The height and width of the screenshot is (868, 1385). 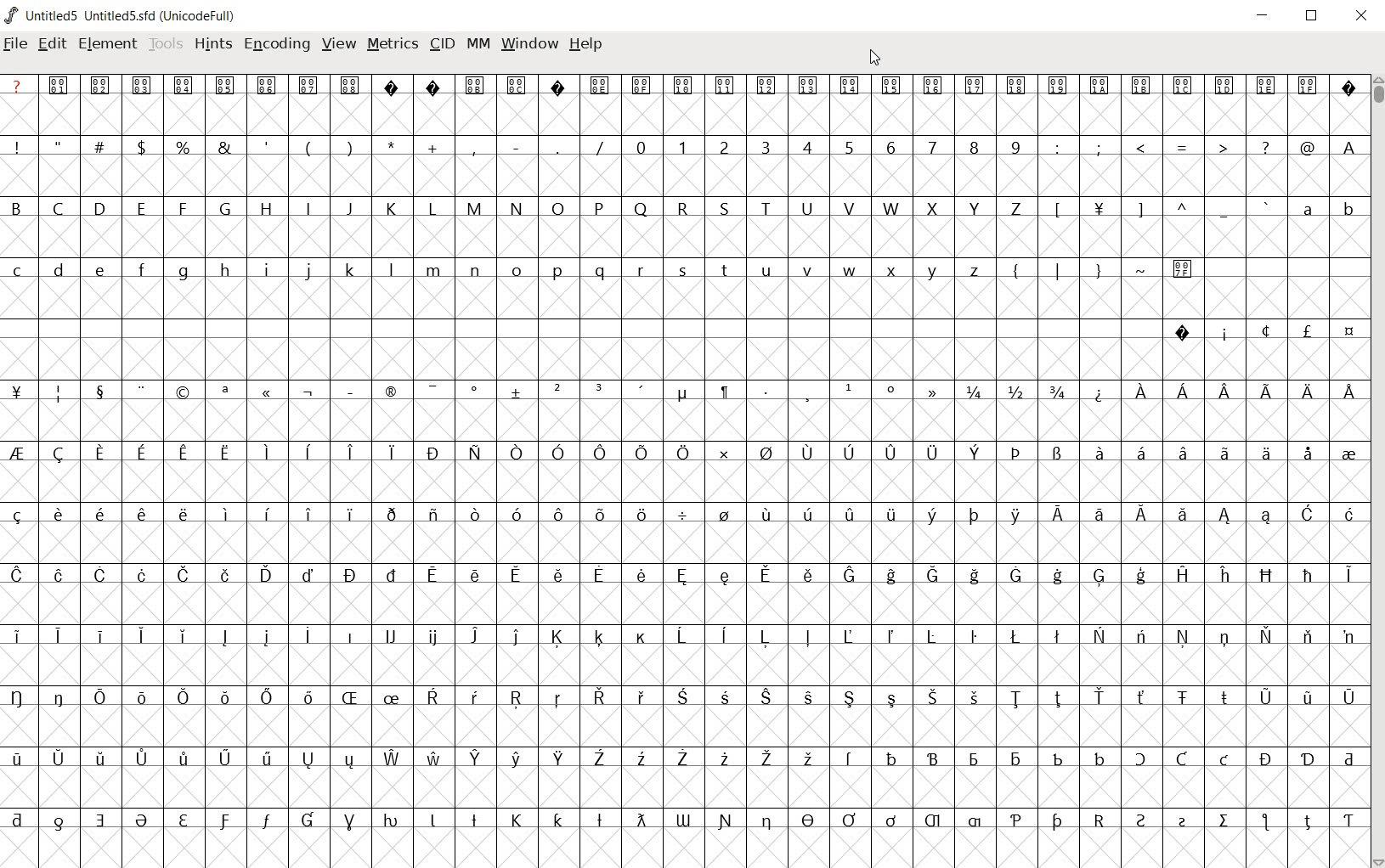 I want to click on Symbol, so click(x=224, y=392).